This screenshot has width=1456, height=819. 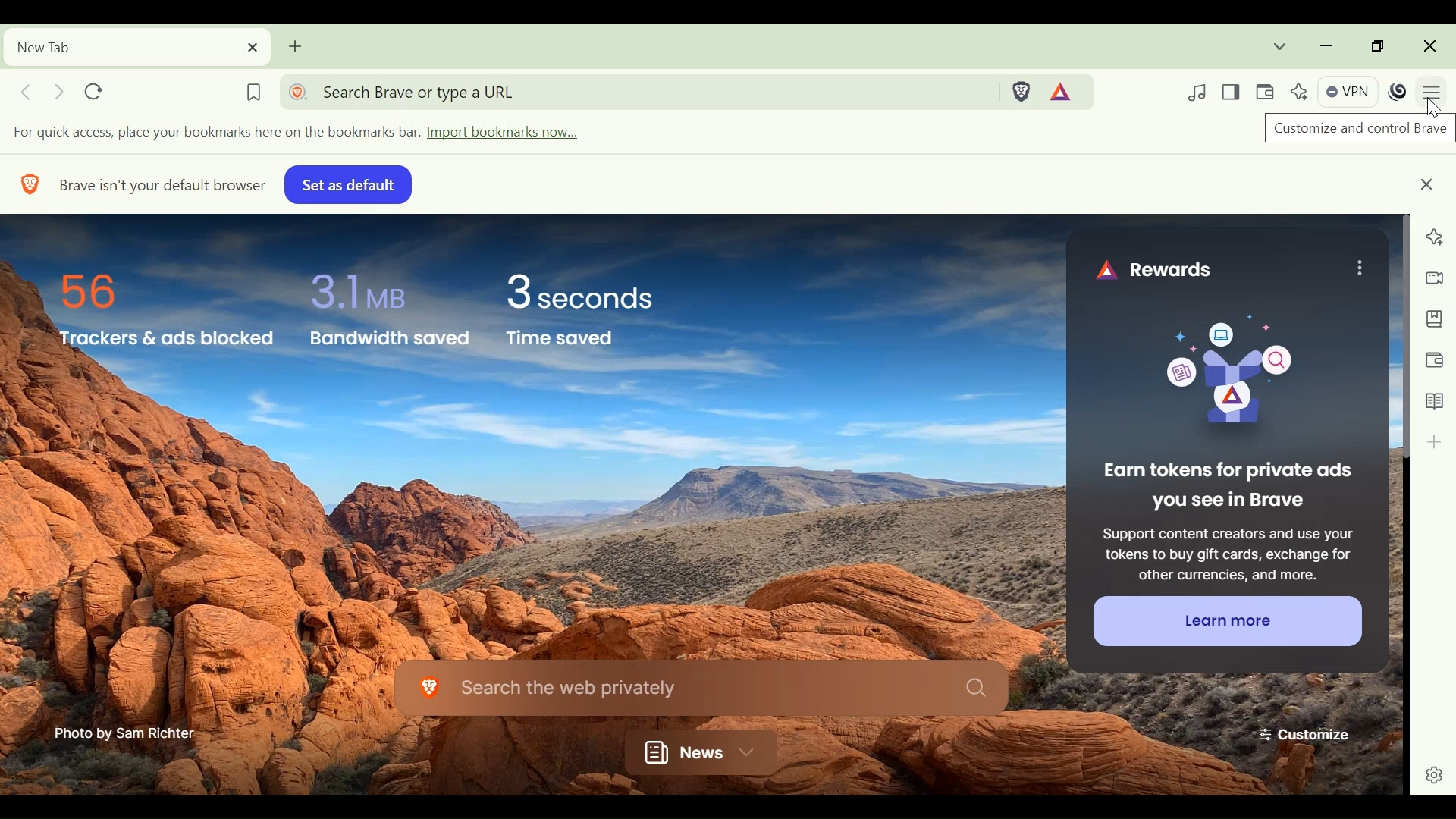 I want to click on Show/Hide Sidebar, so click(x=1235, y=91).